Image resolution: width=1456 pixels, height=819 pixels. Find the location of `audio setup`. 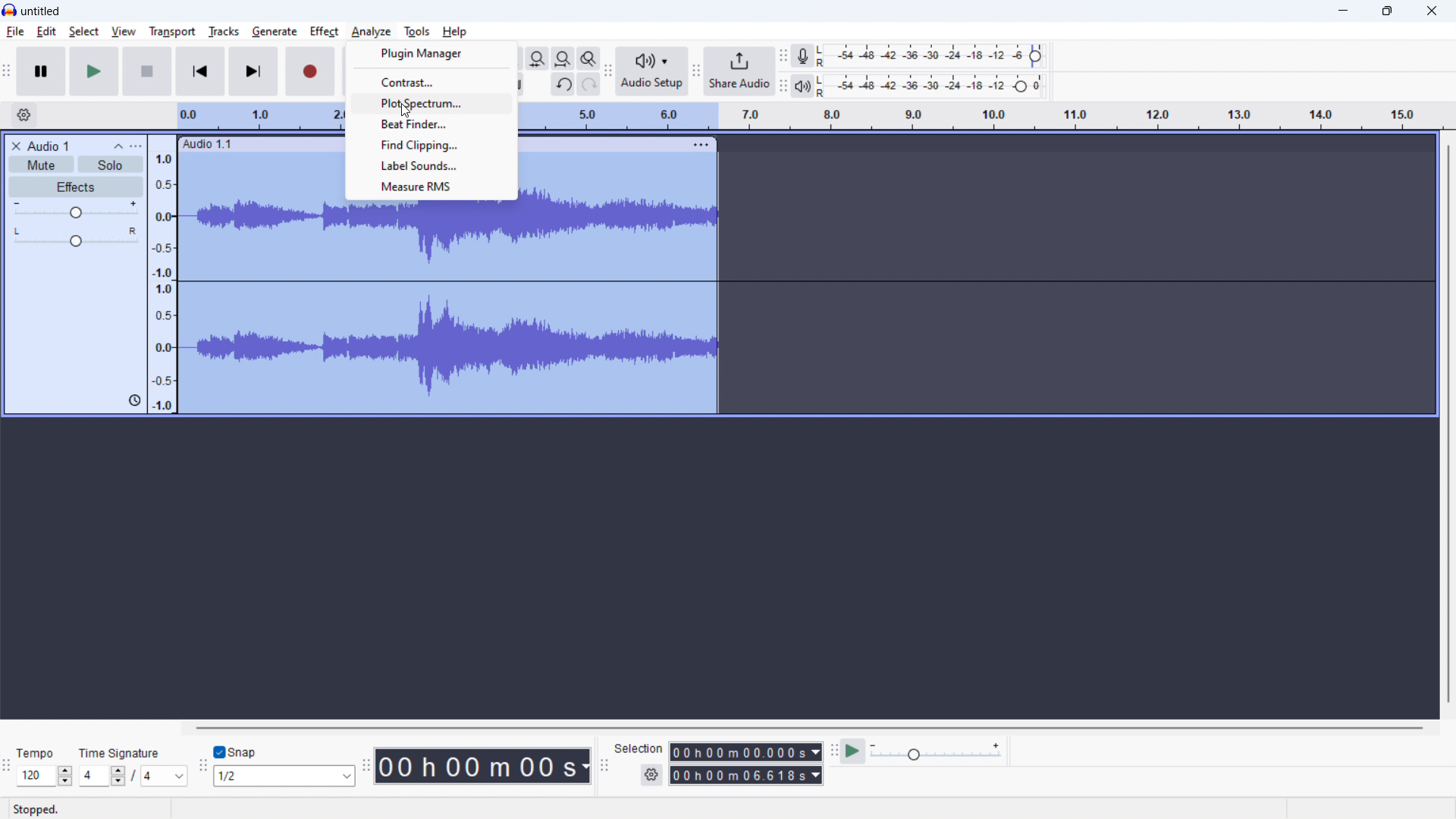

audio setup is located at coordinates (652, 71).